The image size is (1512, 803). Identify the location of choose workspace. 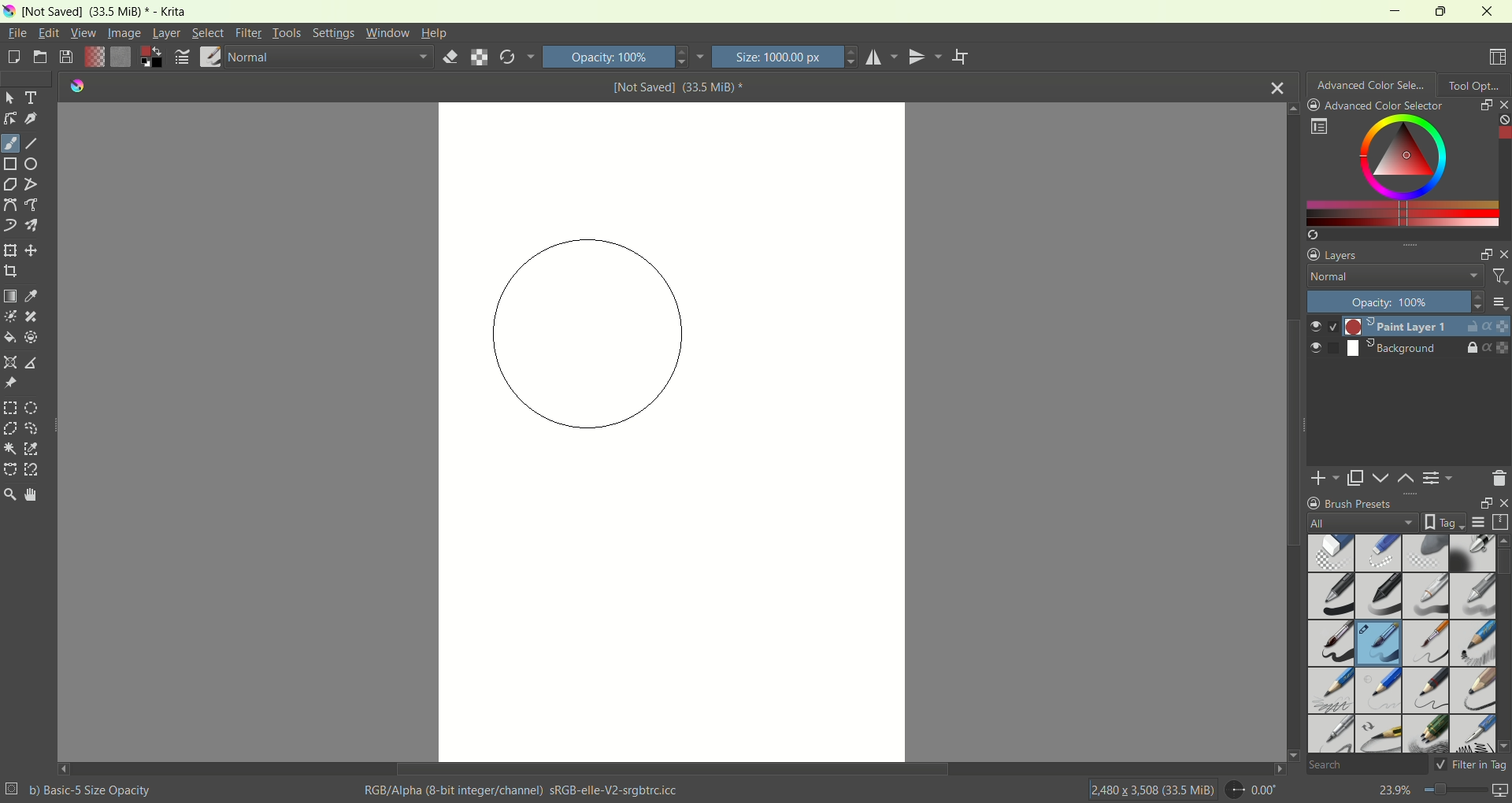
(1499, 57).